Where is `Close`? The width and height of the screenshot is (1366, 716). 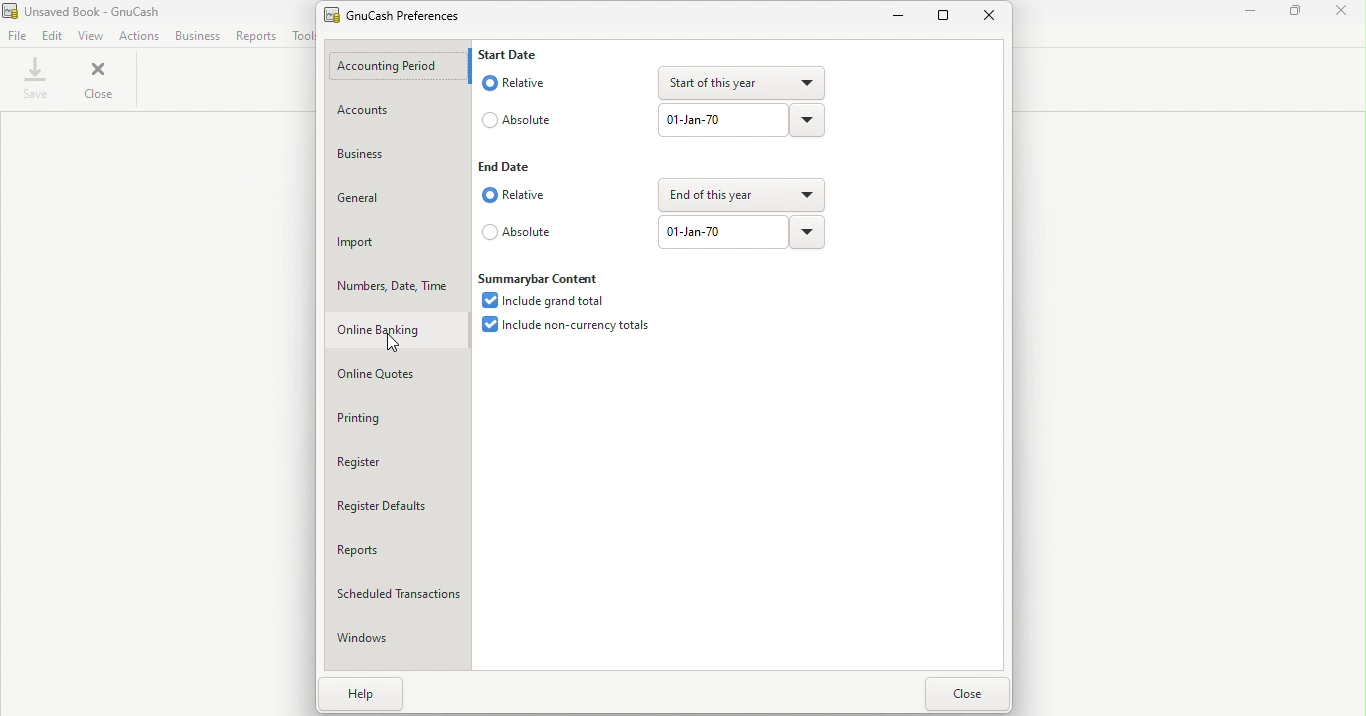
Close is located at coordinates (101, 81).